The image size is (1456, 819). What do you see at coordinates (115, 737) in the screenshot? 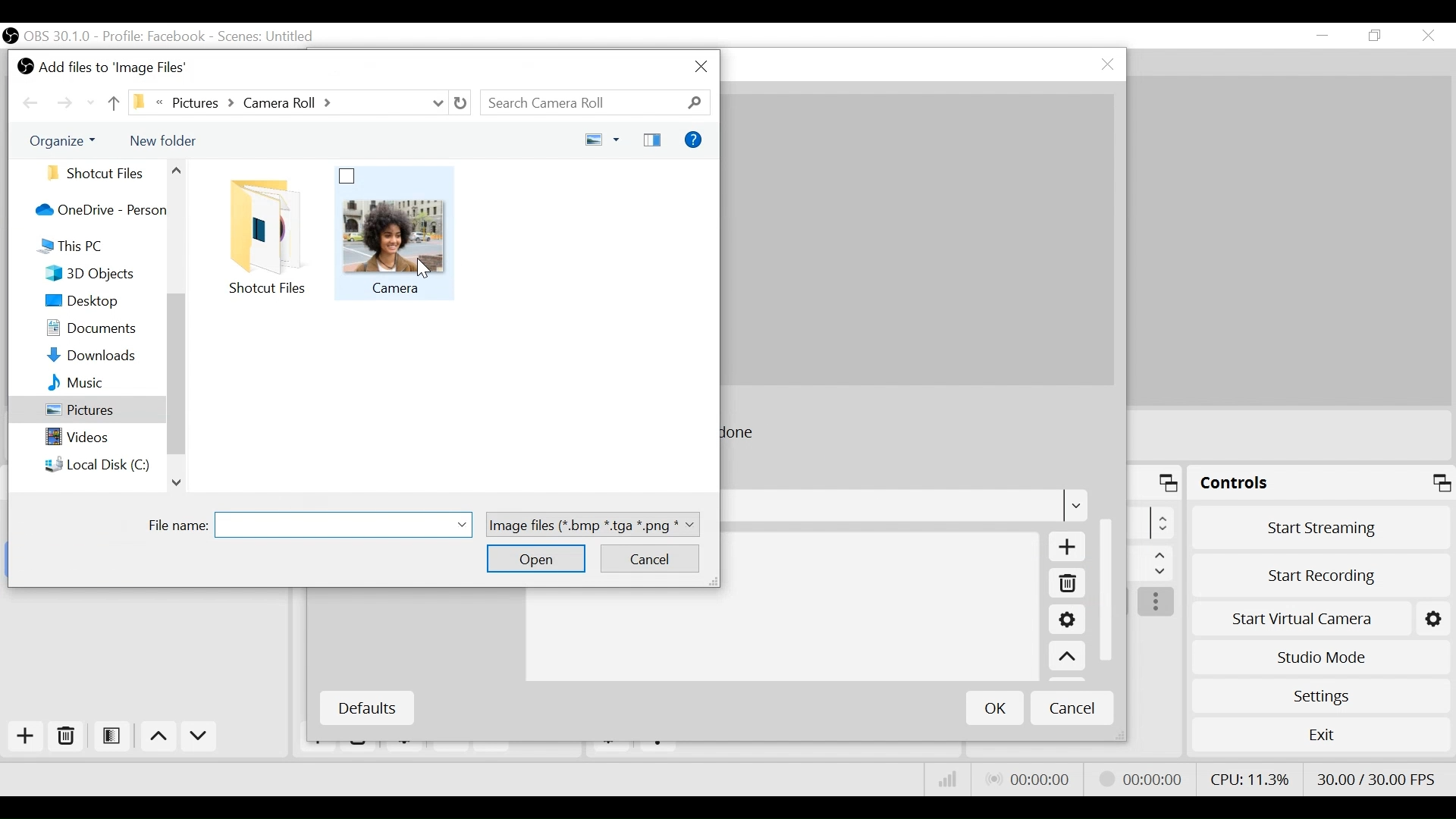
I see `Open Scene Filter` at bounding box center [115, 737].